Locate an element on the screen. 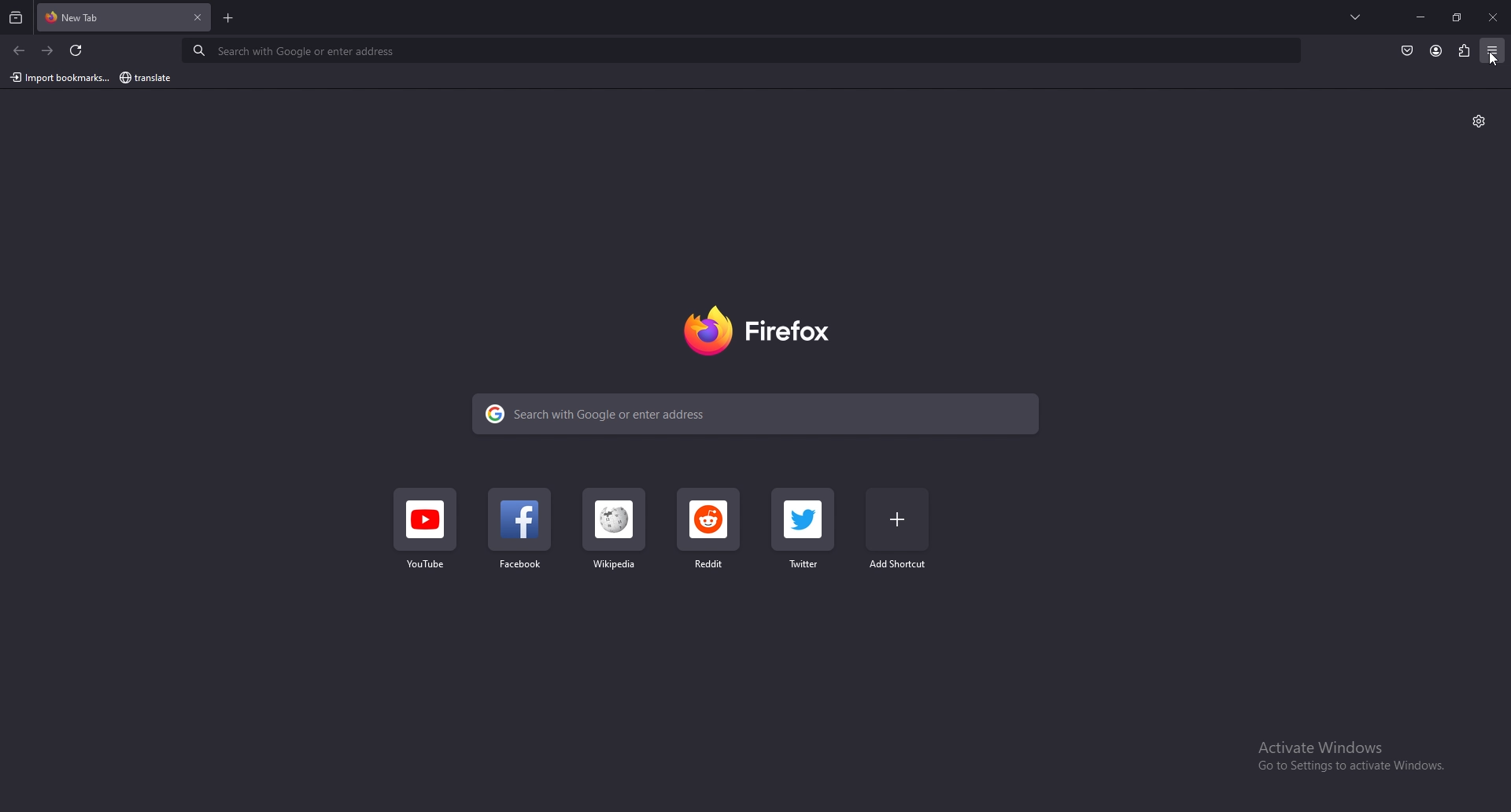 The width and height of the screenshot is (1511, 812). youtube is located at coordinates (426, 535).